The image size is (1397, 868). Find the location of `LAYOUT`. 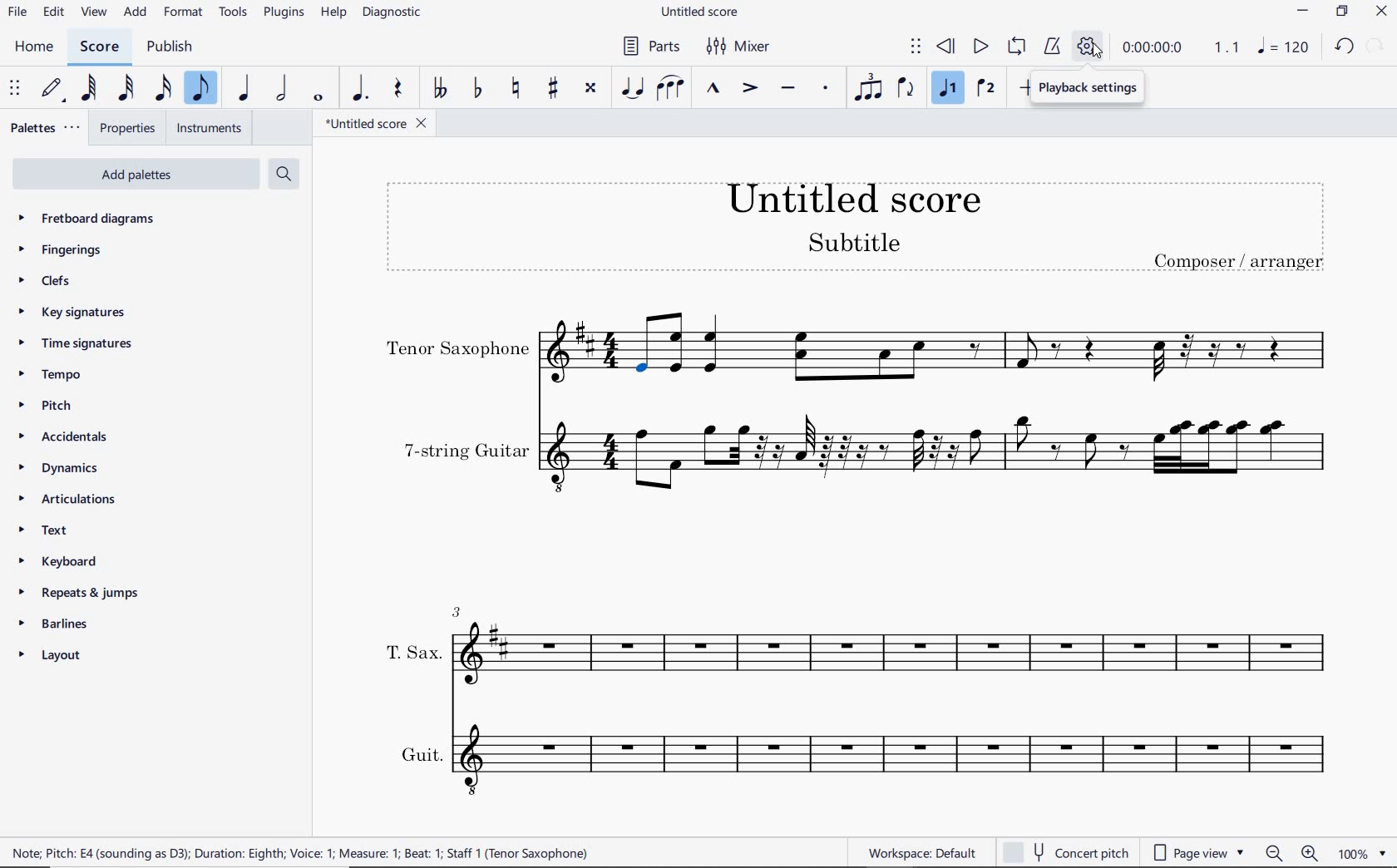

LAYOUT is located at coordinates (49, 657).